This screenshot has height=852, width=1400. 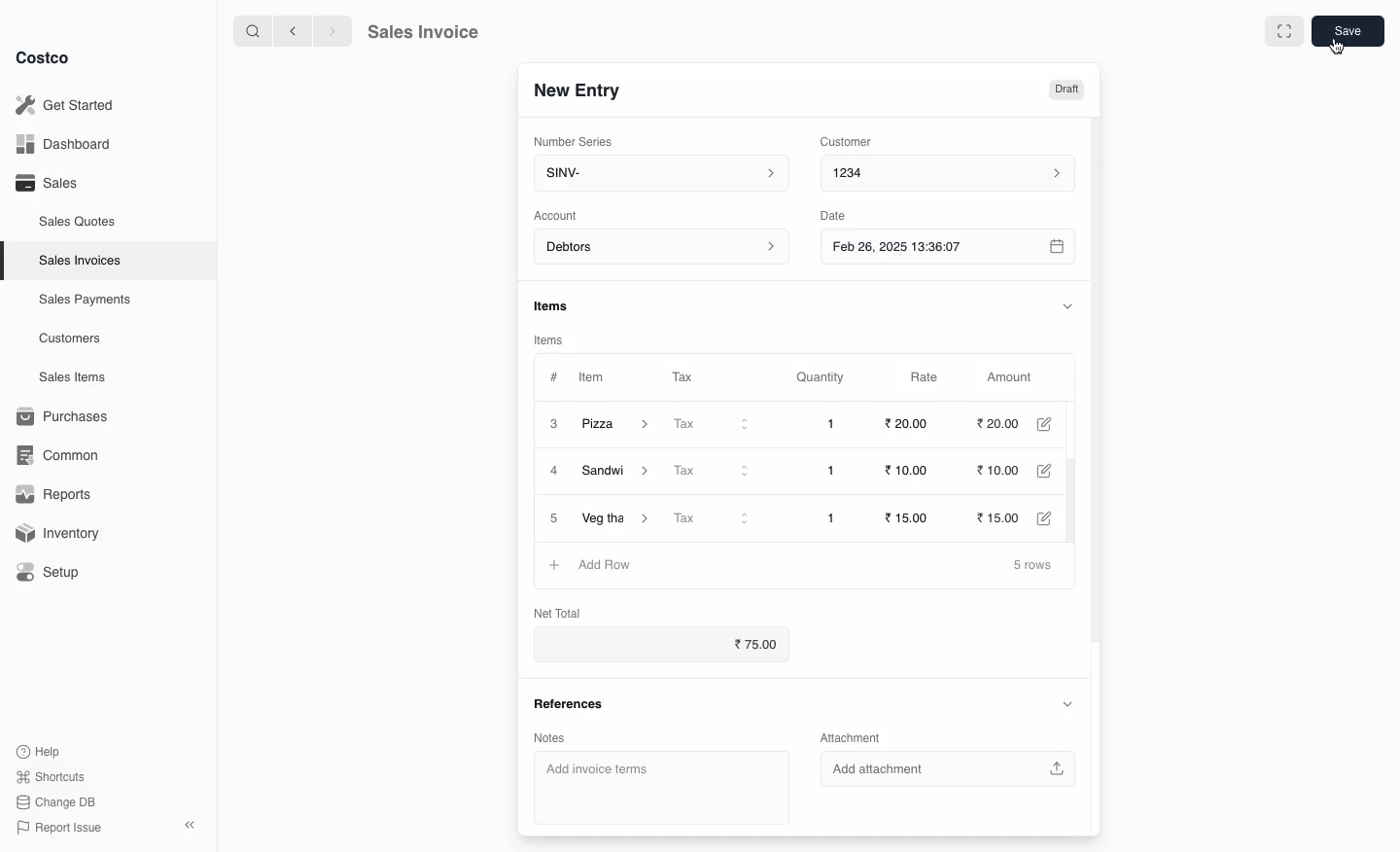 What do you see at coordinates (838, 216) in the screenshot?
I see `Date` at bounding box center [838, 216].